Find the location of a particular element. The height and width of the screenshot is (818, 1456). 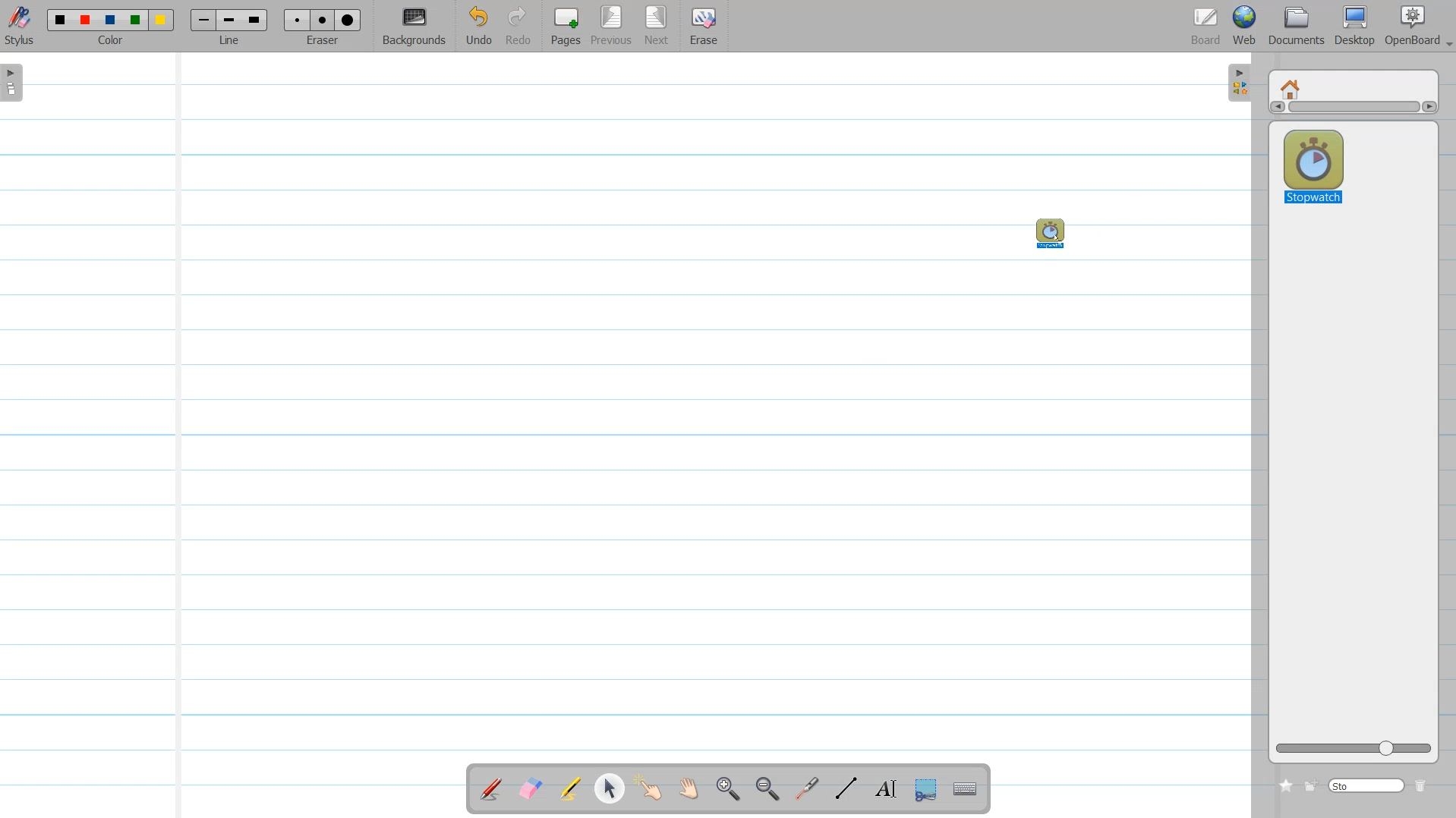

Redo is located at coordinates (519, 27).